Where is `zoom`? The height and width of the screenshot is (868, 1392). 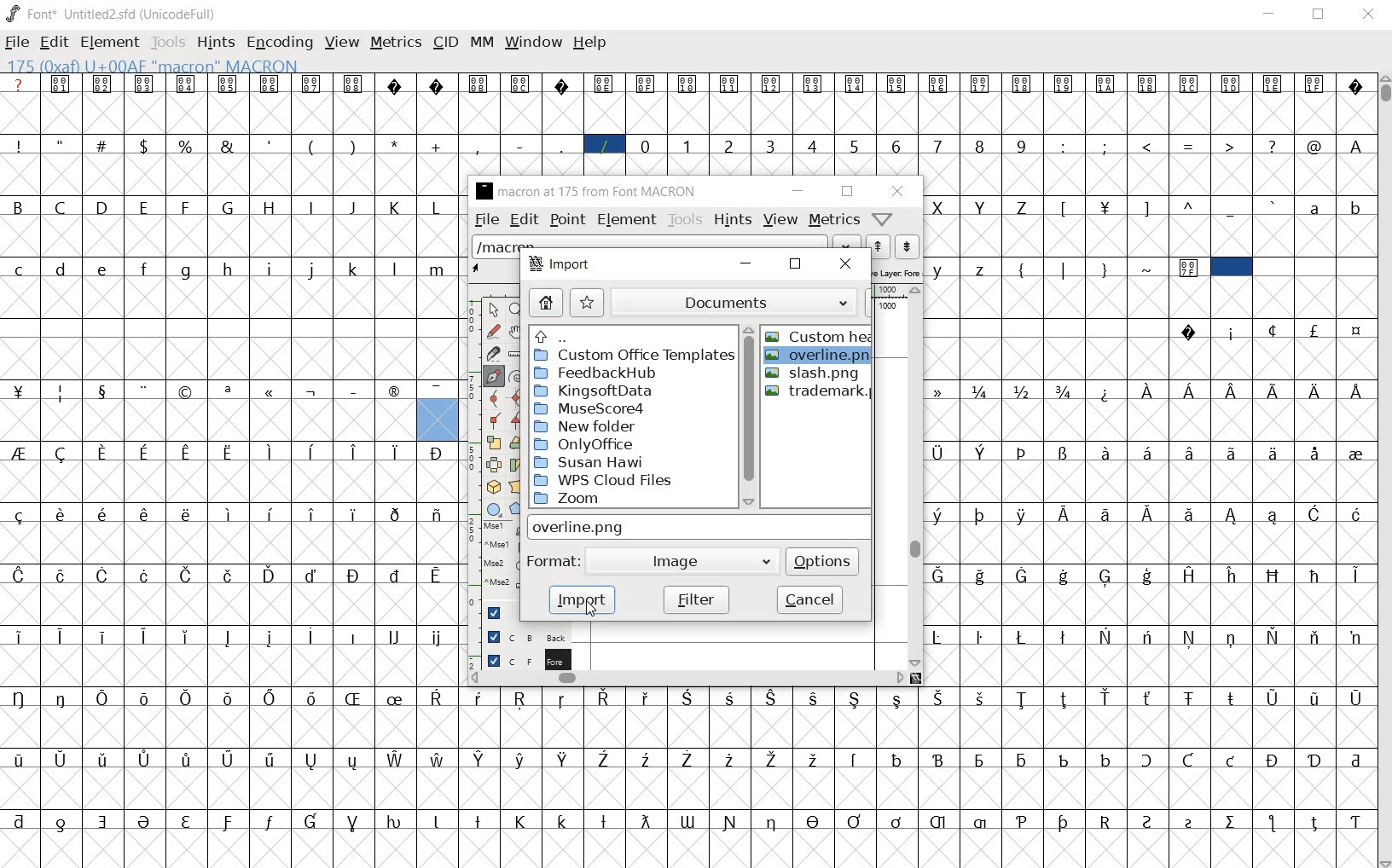
zoom is located at coordinates (516, 309).